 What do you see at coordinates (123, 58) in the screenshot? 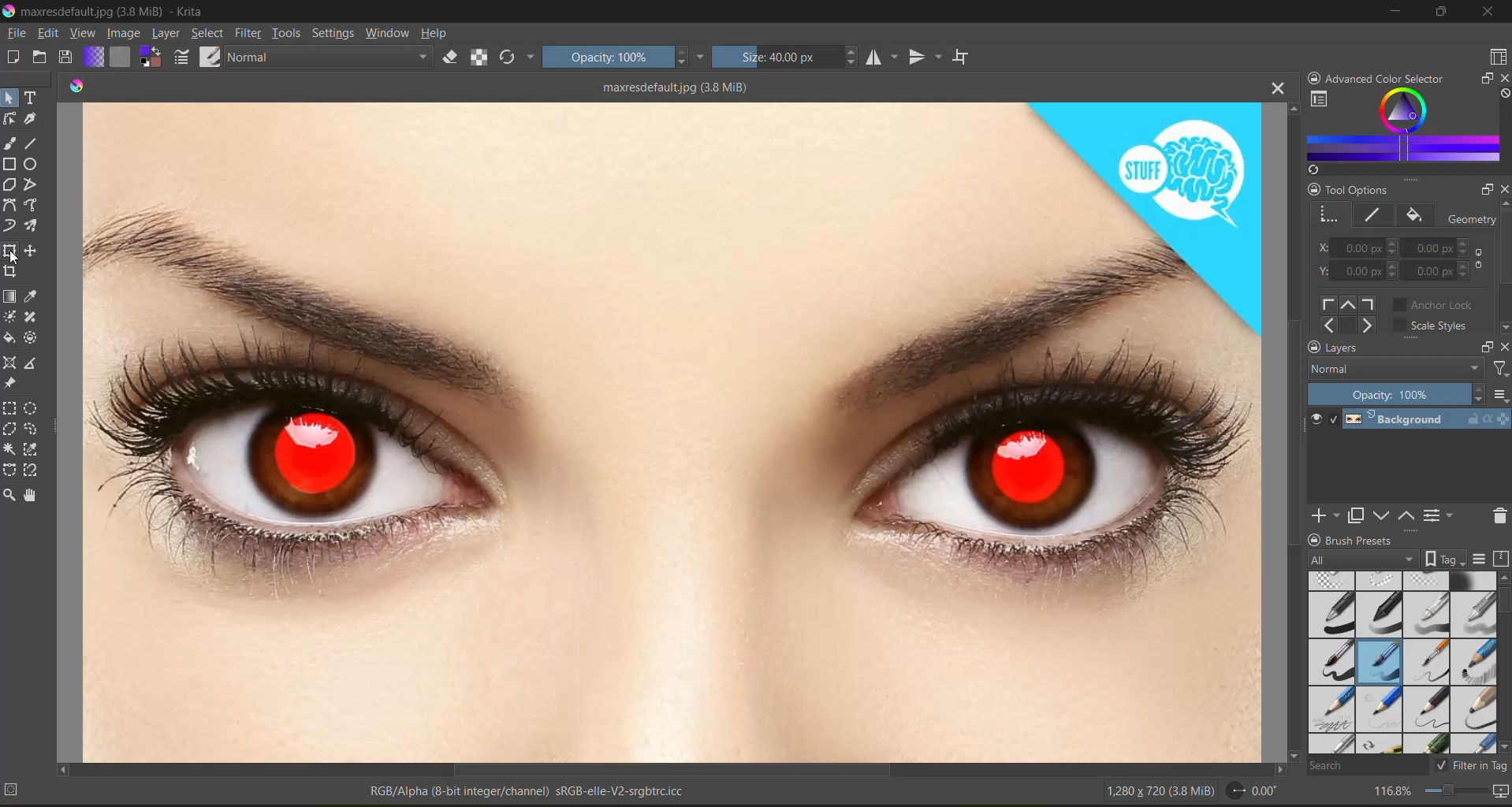
I see `fill patterns` at bounding box center [123, 58].